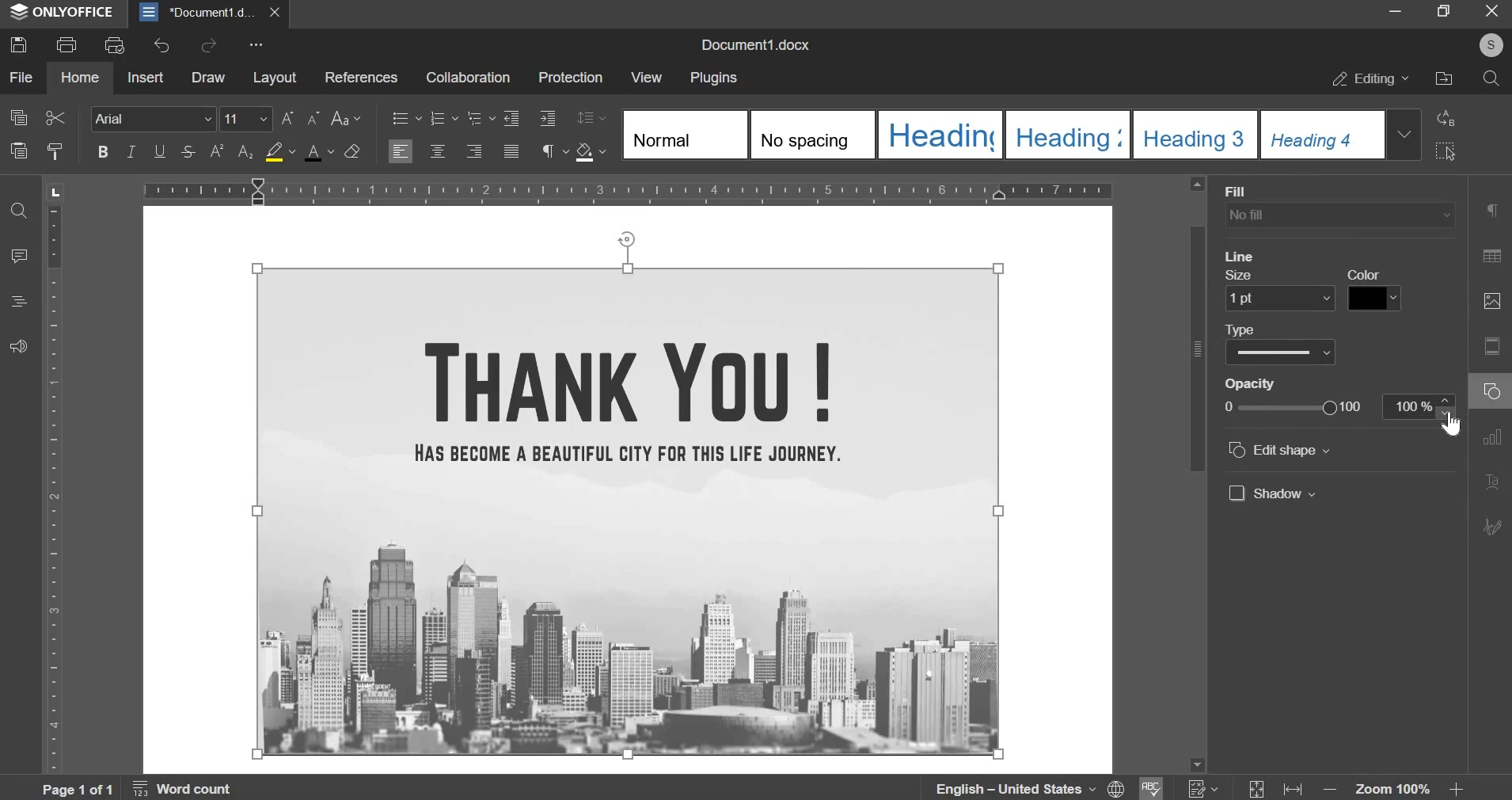 The width and height of the screenshot is (1512, 800). Describe the element at coordinates (247, 118) in the screenshot. I see `font size` at that location.